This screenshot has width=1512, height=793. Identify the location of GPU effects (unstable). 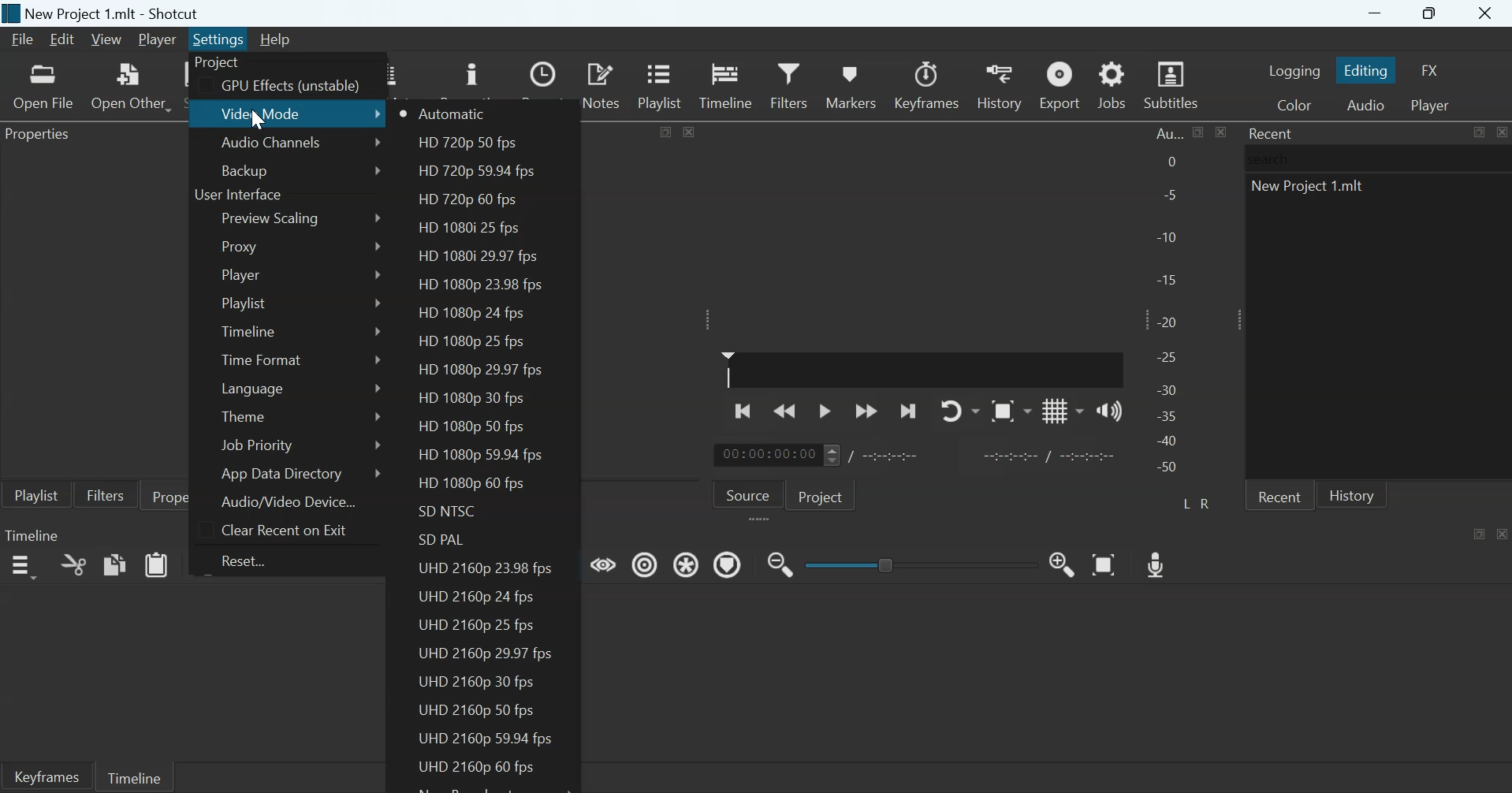
(290, 87).